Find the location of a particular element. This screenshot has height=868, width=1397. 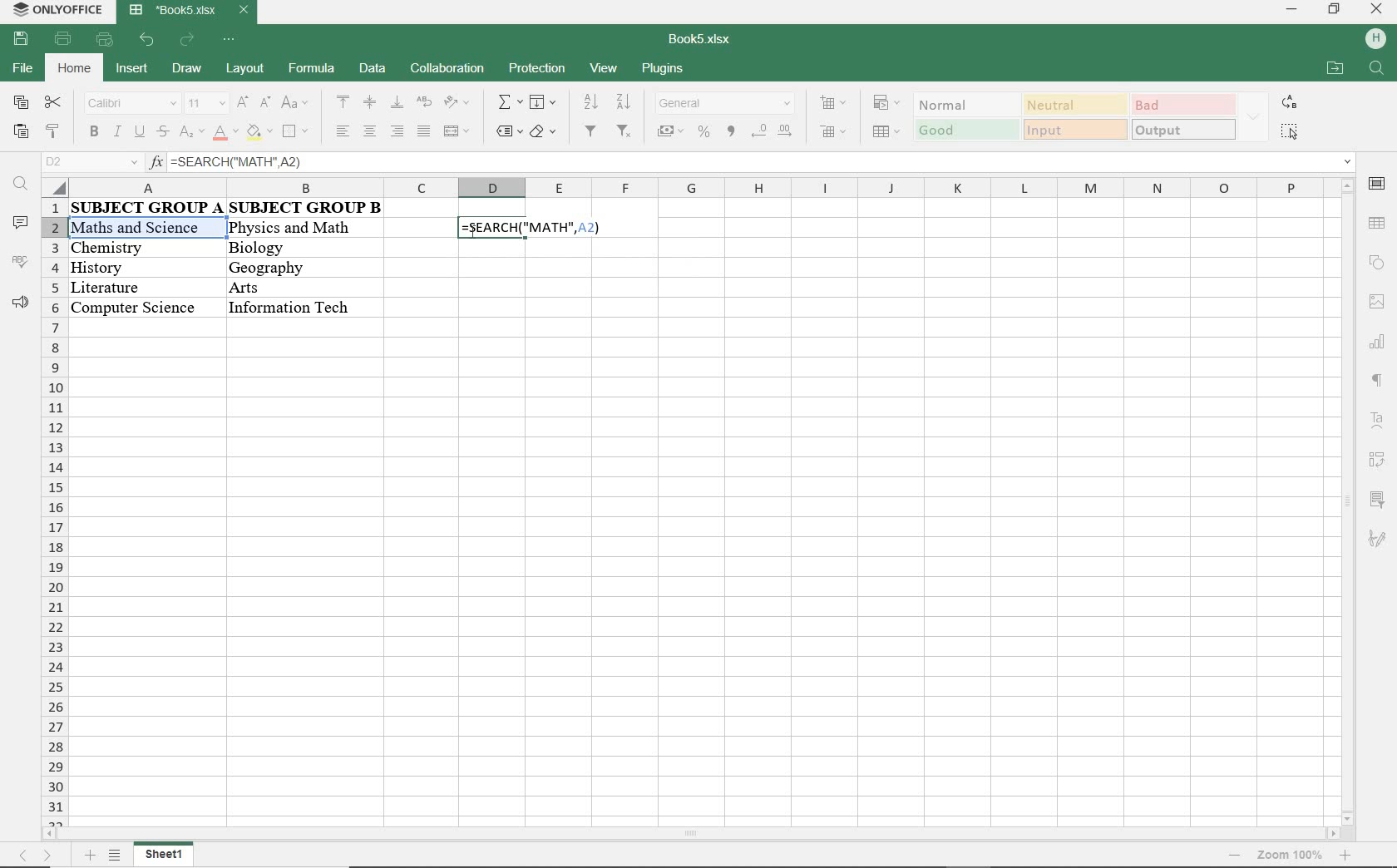

feedback & support is located at coordinates (21, 303).